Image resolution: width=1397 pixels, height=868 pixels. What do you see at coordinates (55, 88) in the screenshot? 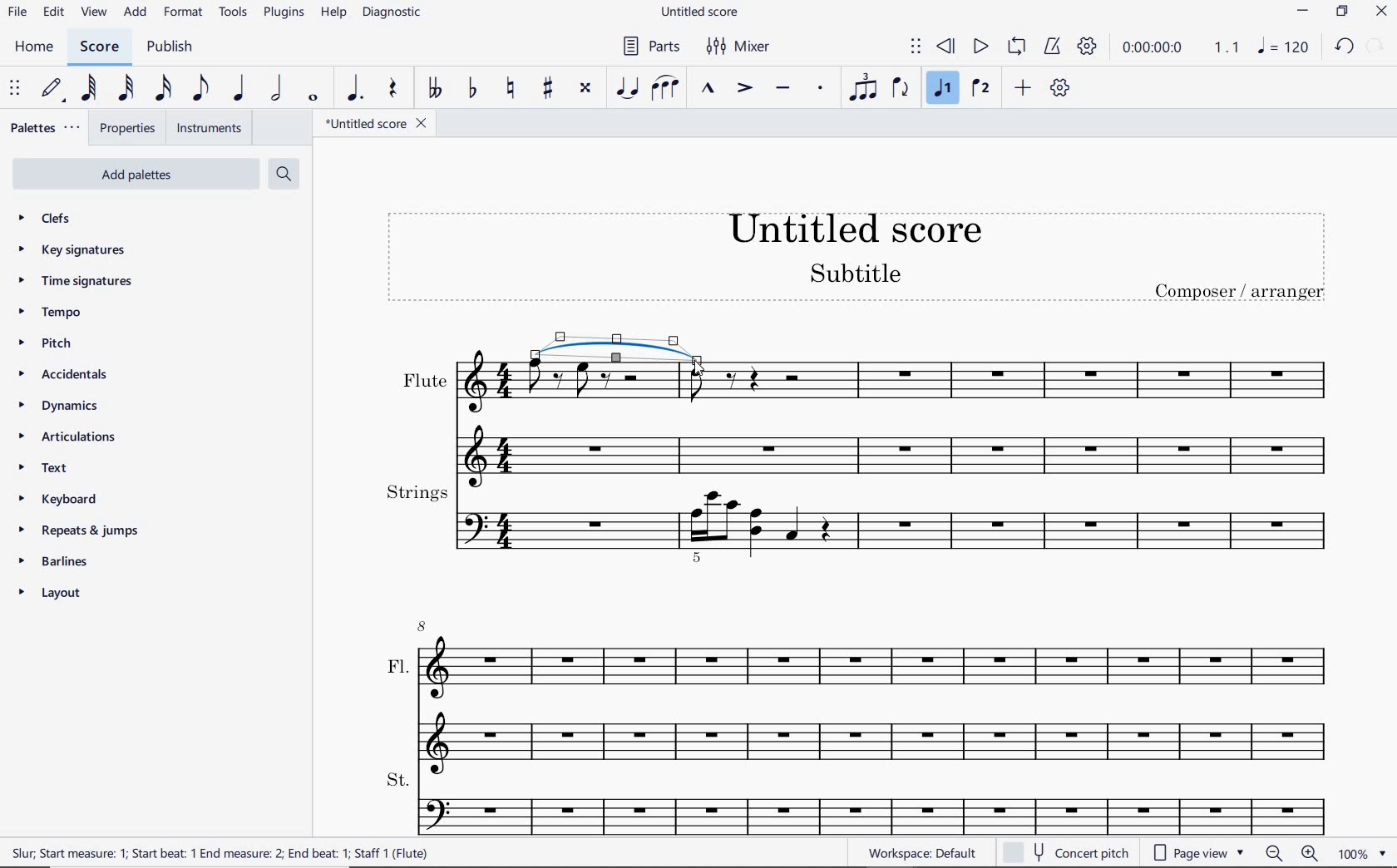
I see `DEFAULT (STEP TIME)` at bounding box center [55, 88].